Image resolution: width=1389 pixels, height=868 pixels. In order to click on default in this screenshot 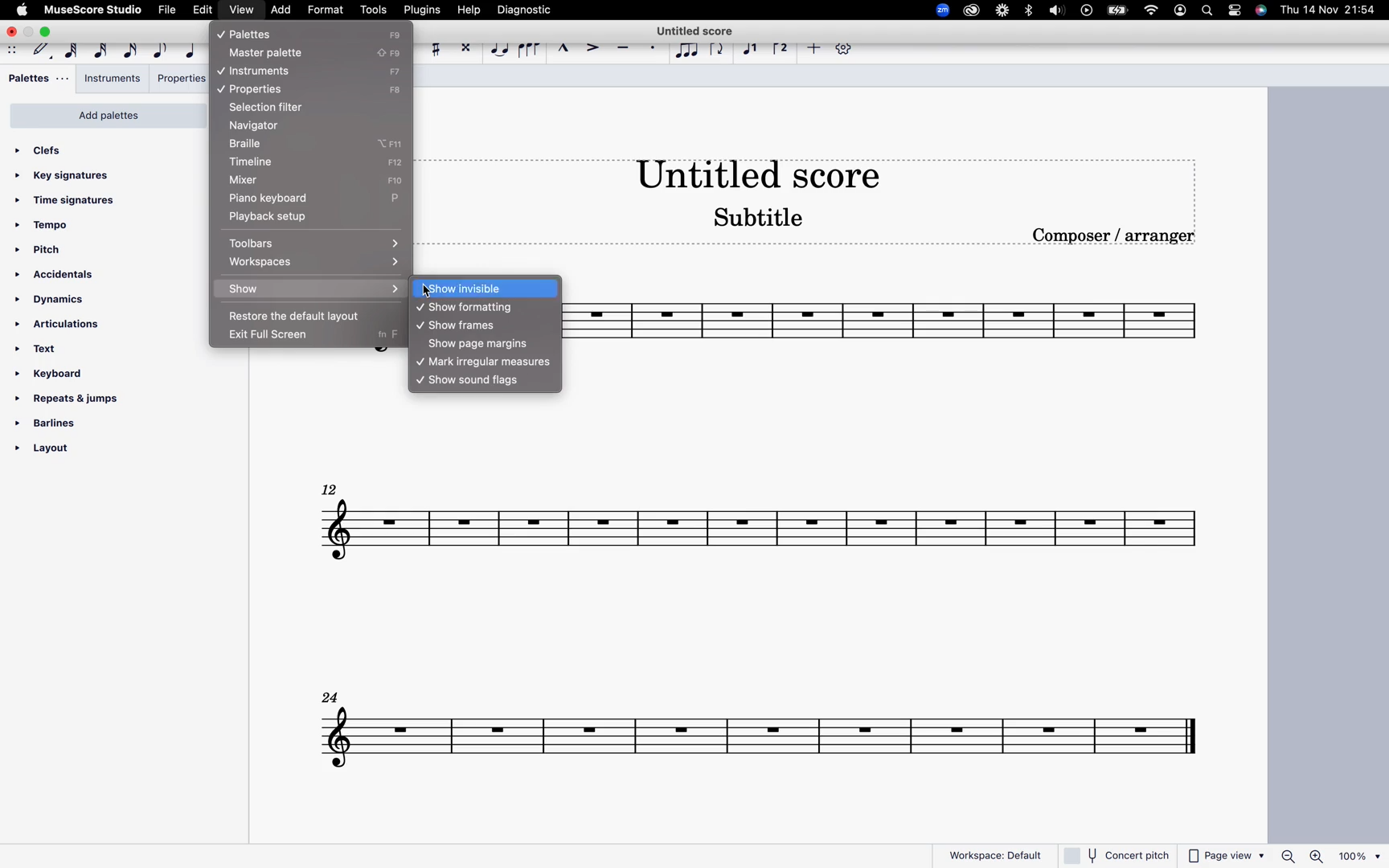, I will do `click(39, 49)`.